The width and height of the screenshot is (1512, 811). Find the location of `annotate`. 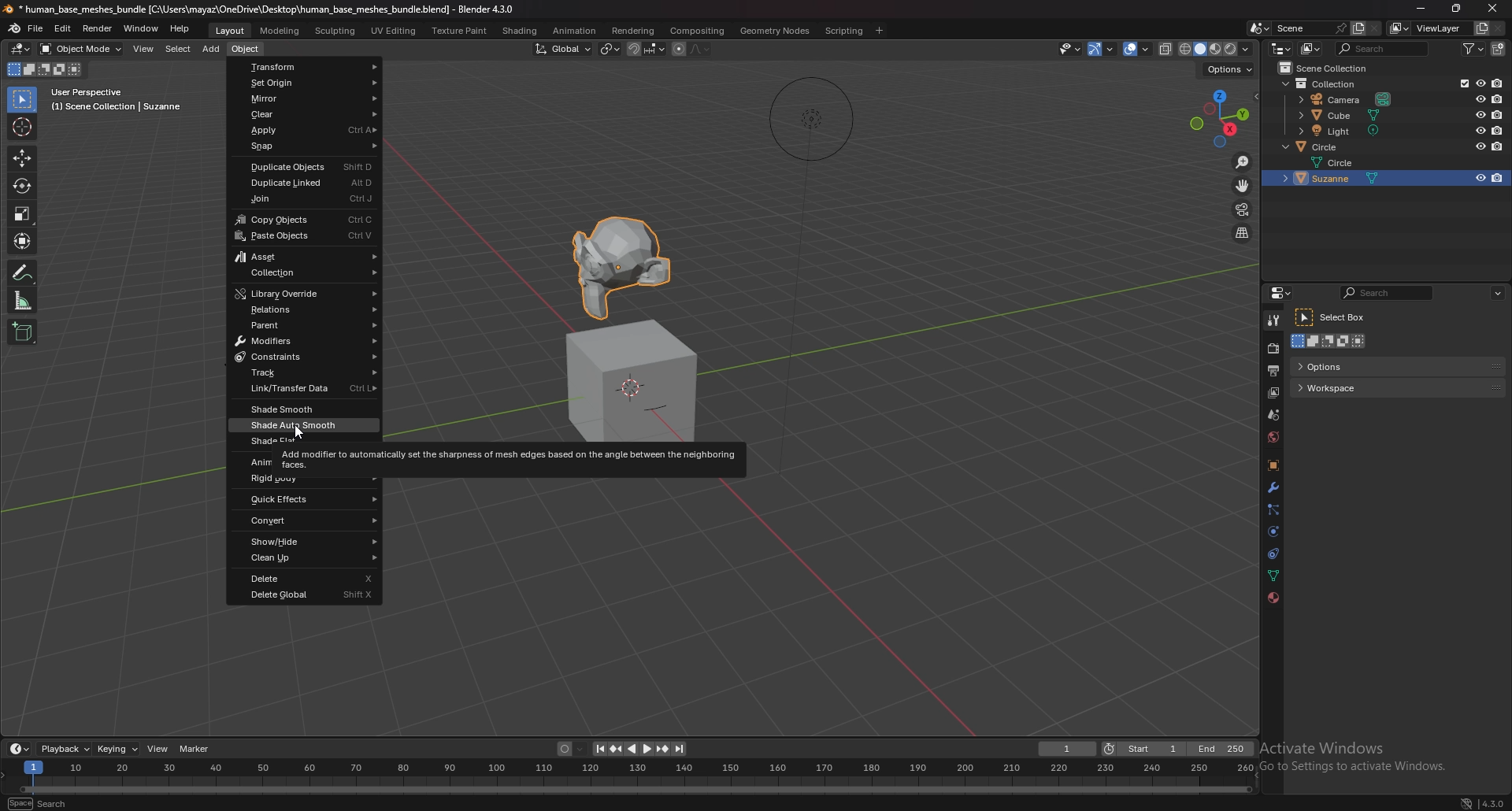

annotate is located at coordinates (24, 272).